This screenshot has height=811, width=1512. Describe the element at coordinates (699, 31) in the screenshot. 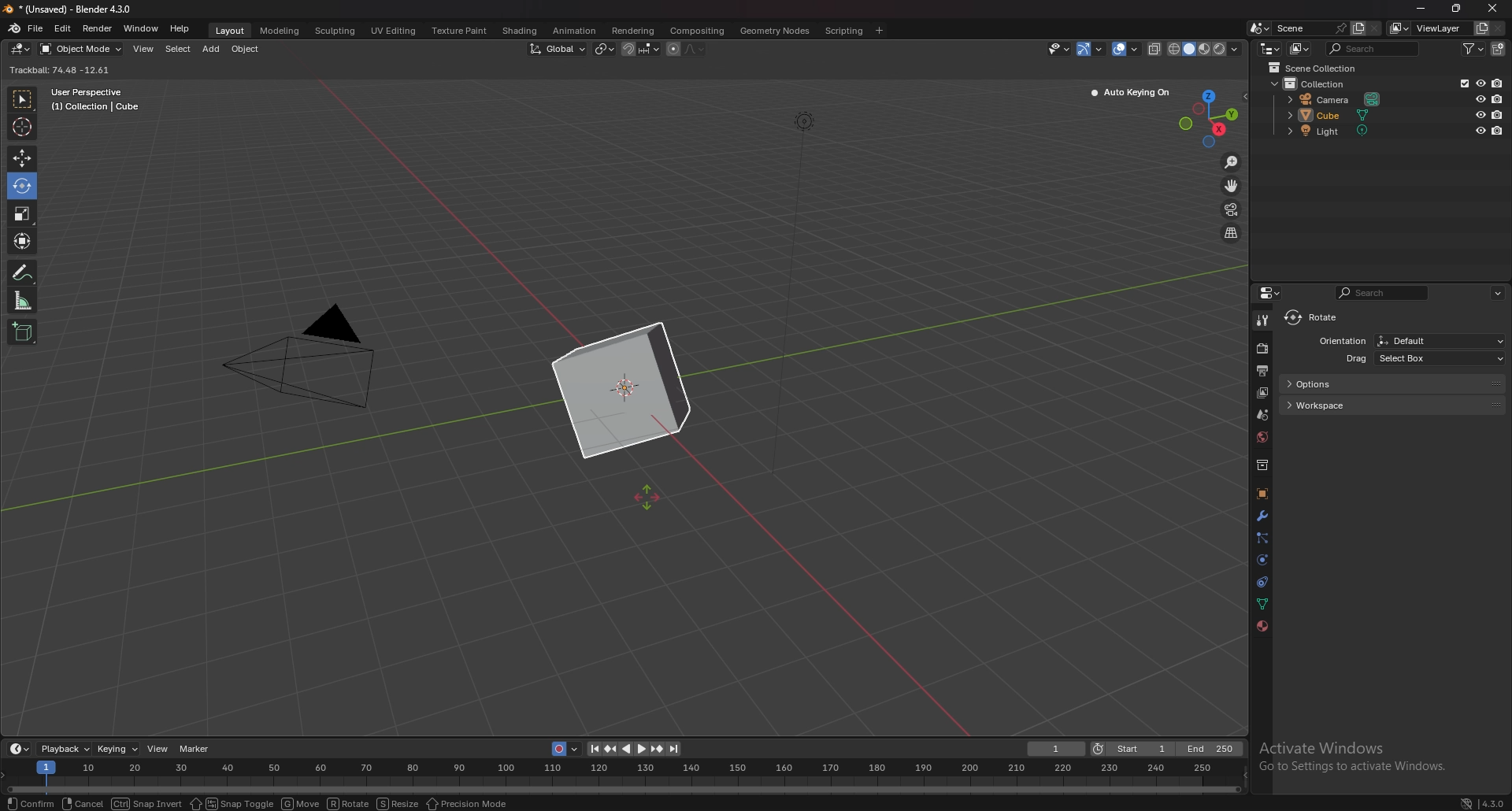

I see `compositing` at that location.